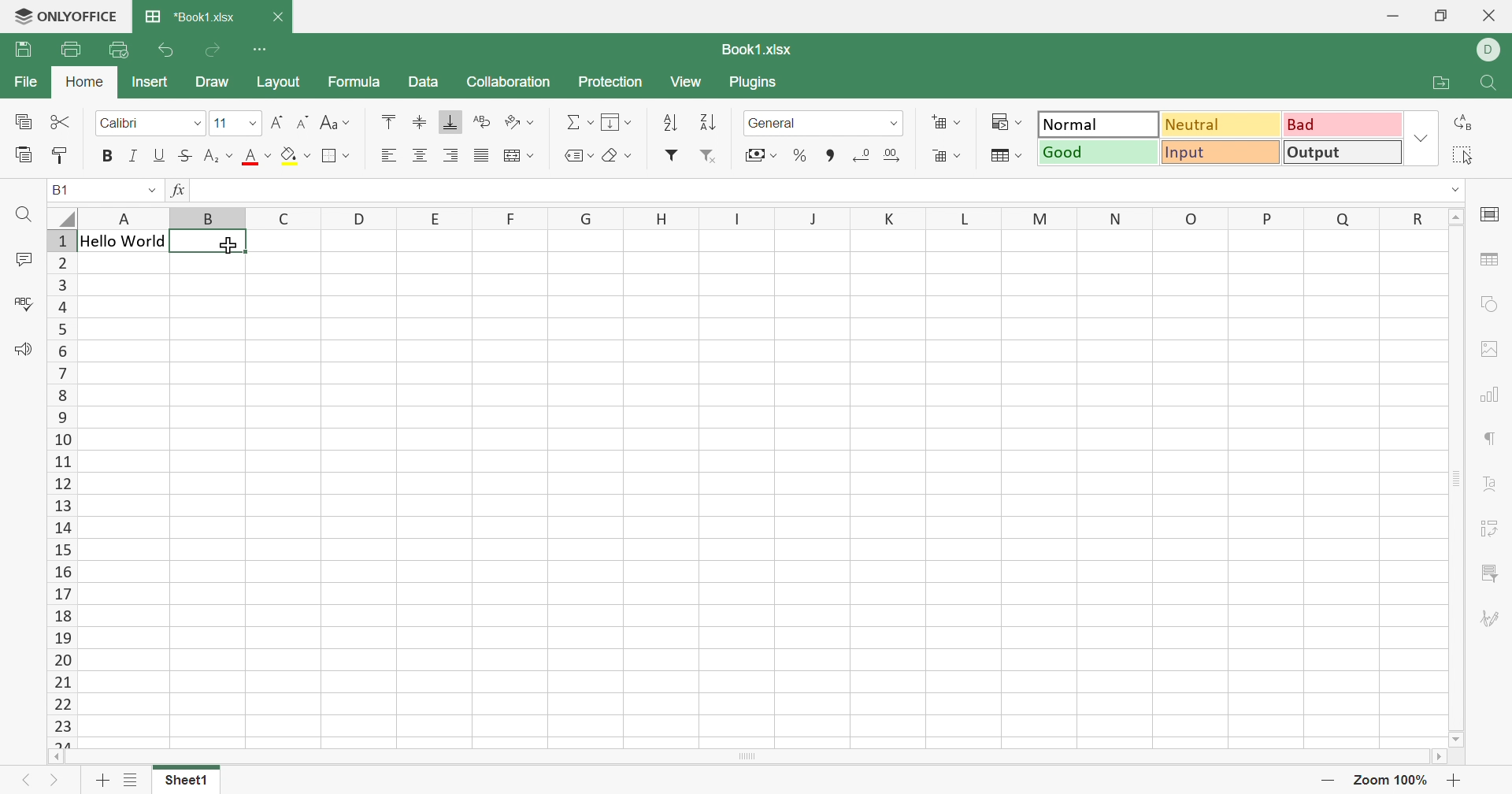 This screenshot has height=794, width=1512. I want to click on Plugins, so click(761, 82).